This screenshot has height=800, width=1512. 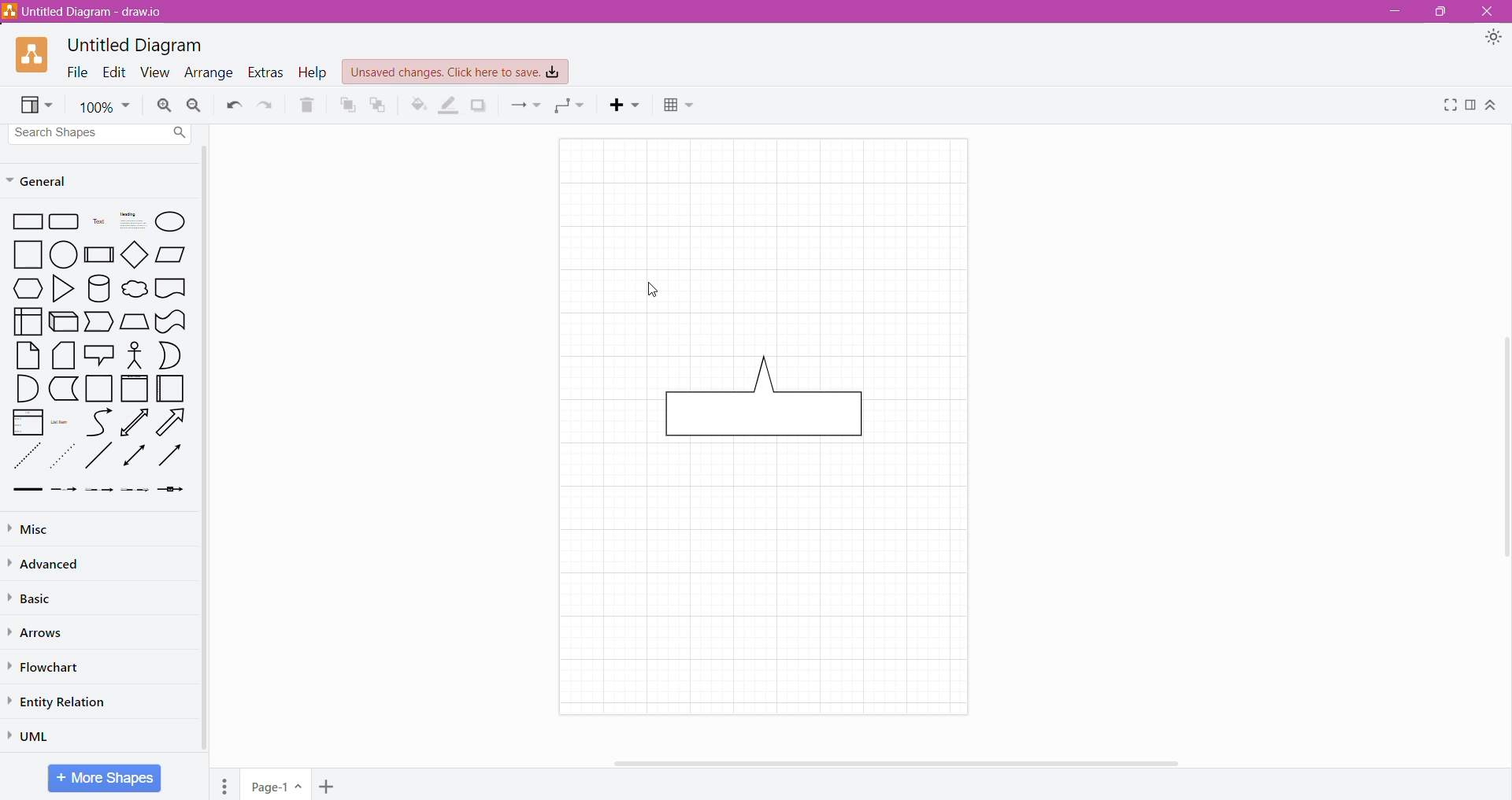 I want to click on Curved Line, so click(x=98, y=421).